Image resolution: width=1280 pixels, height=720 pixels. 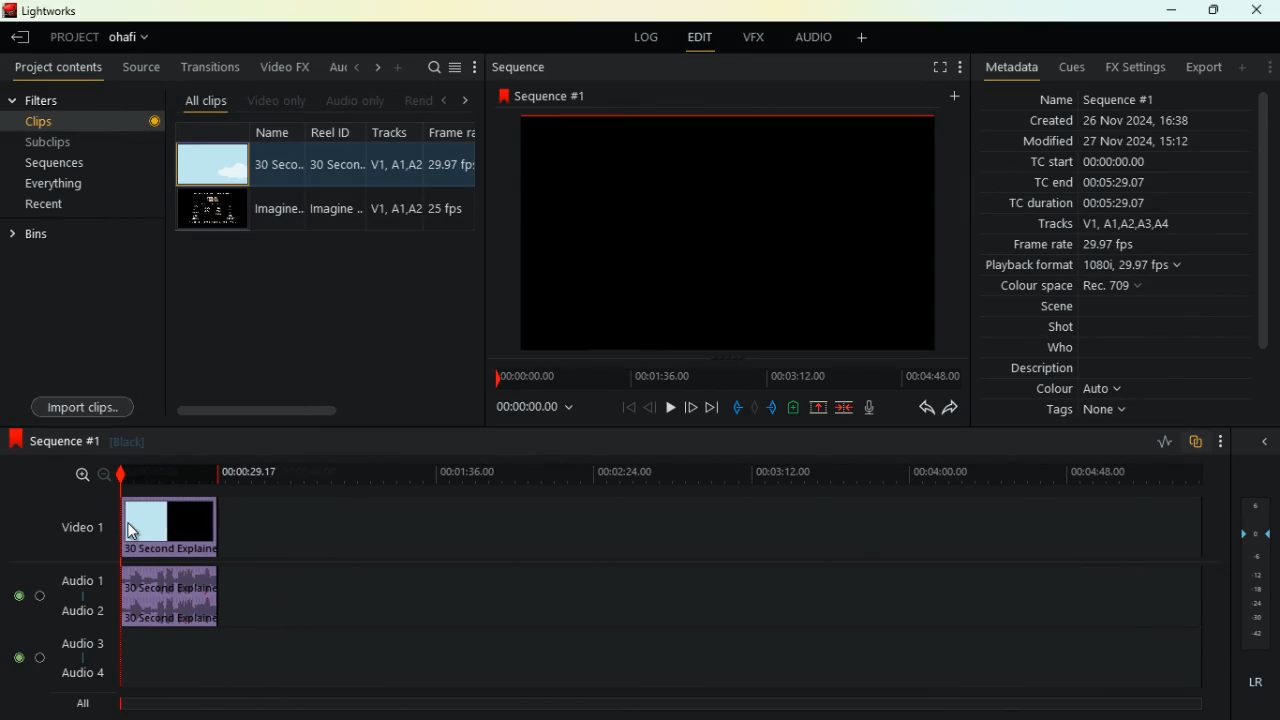 What do you see at coordinates (952, 97) in the screenshot?
I see `add` at bounding box center [952, 97].